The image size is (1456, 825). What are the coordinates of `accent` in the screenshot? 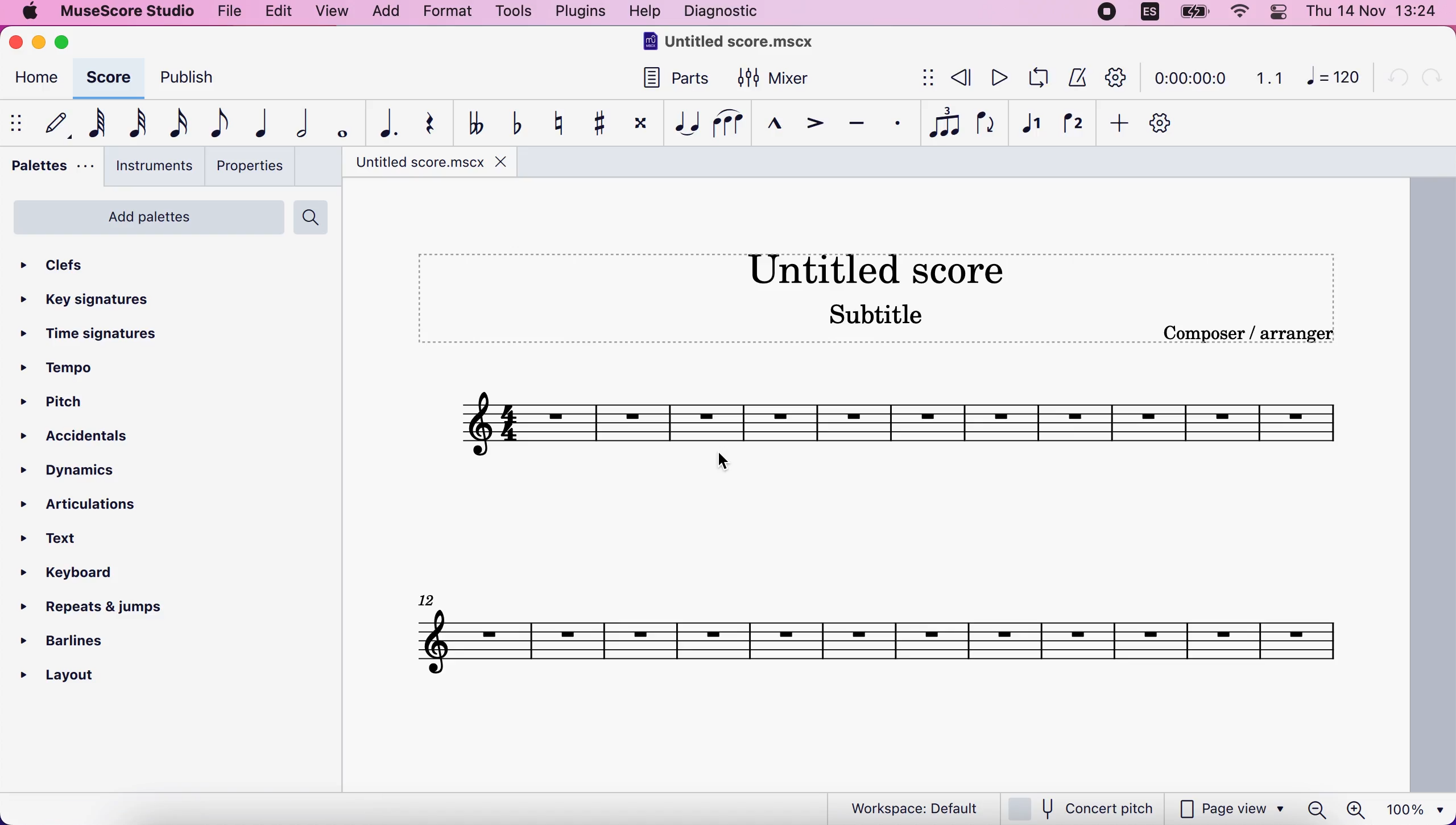 It's located at (810, 126).